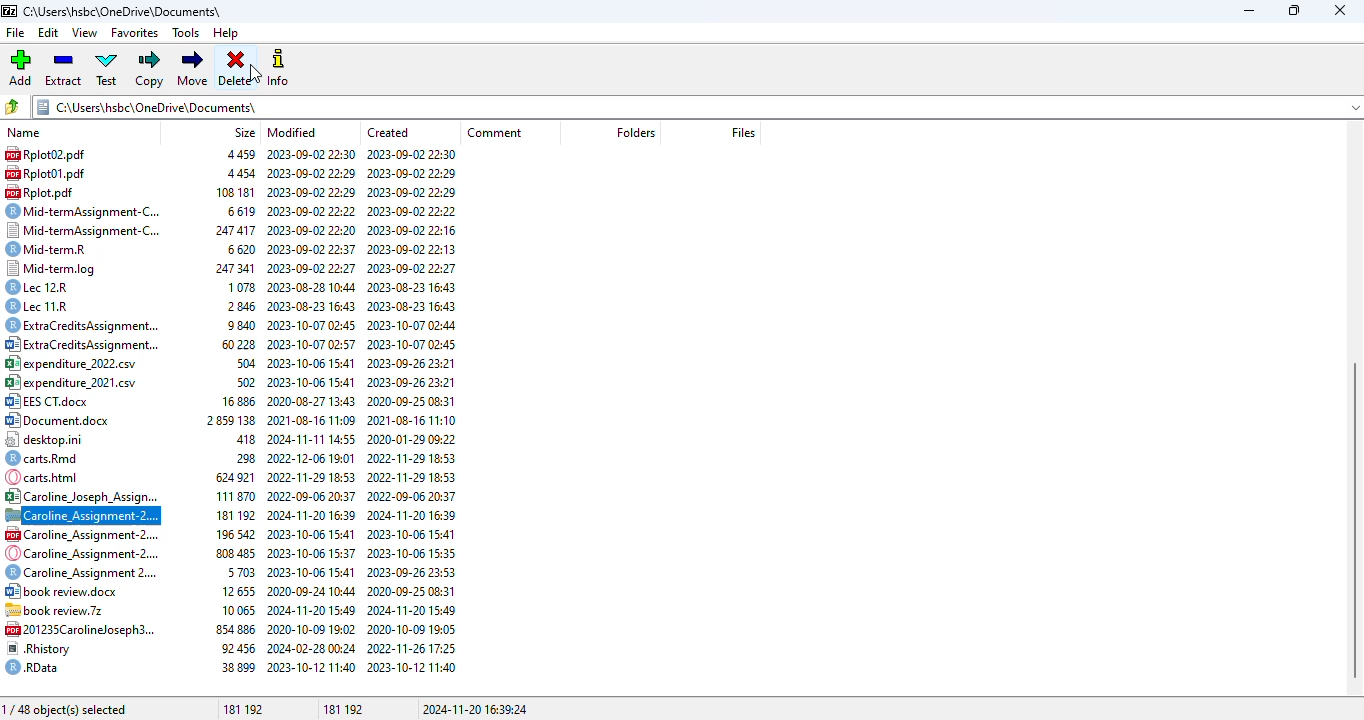 The image size is (1364, 720). What do you see at coordinates (237, 609) in the screenshot?
I see `10 065` at bounding box center [237, 609].